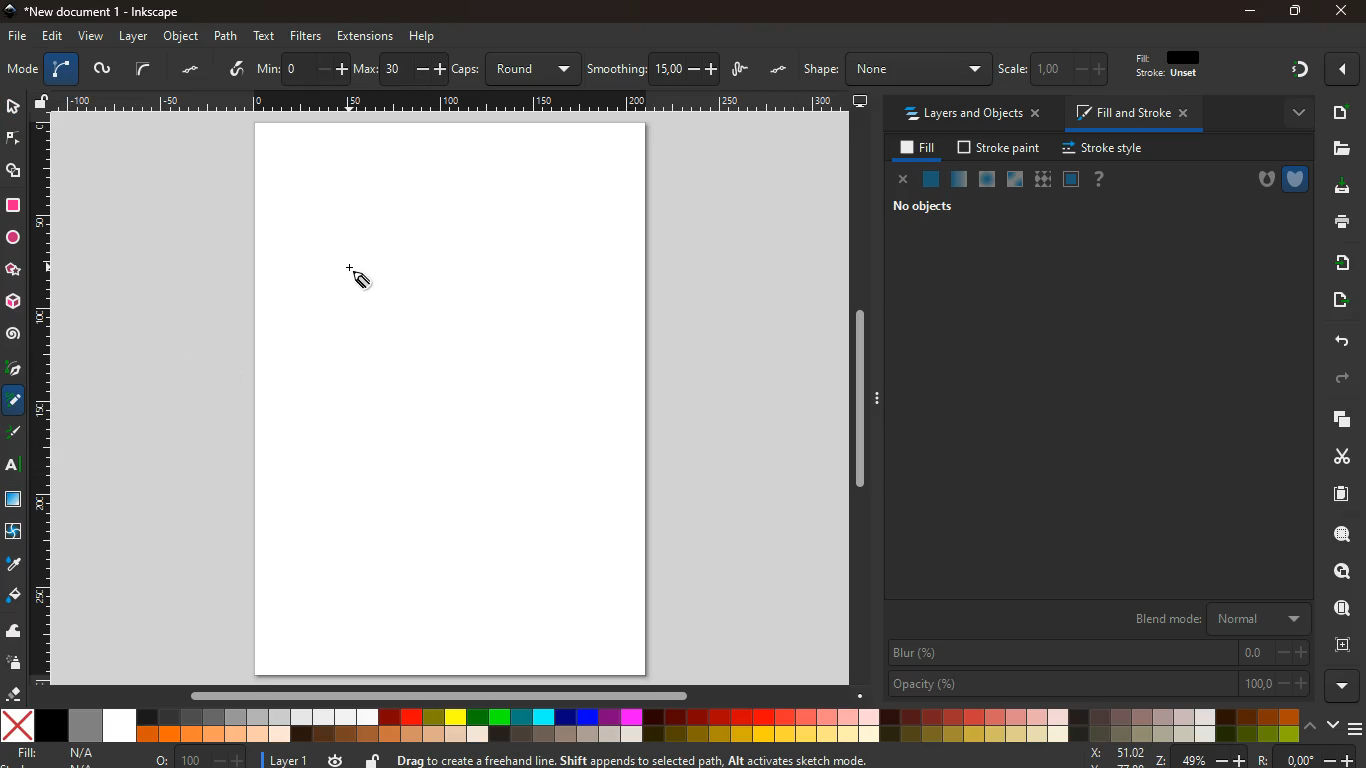  I want to click on stroke paint, so click(1001, 147).